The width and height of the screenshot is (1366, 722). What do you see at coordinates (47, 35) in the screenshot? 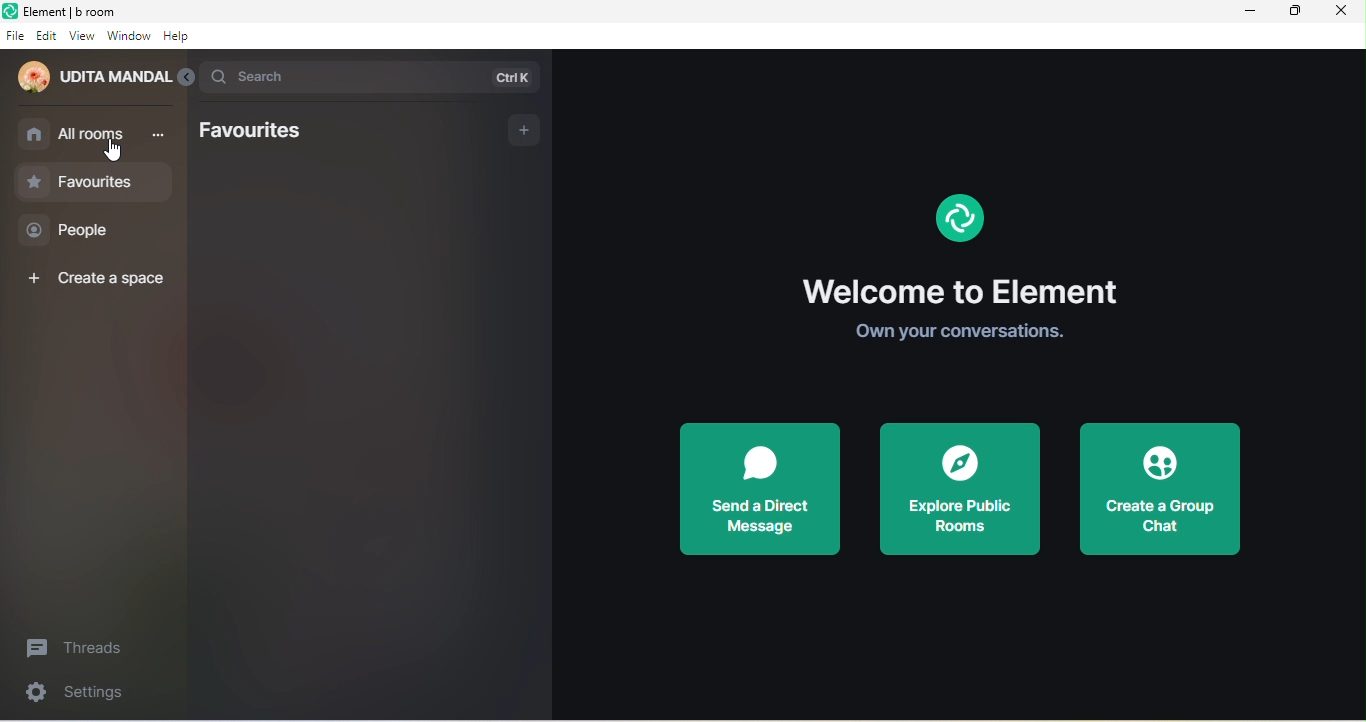
I see `edit` at bounding box center [47, 35].